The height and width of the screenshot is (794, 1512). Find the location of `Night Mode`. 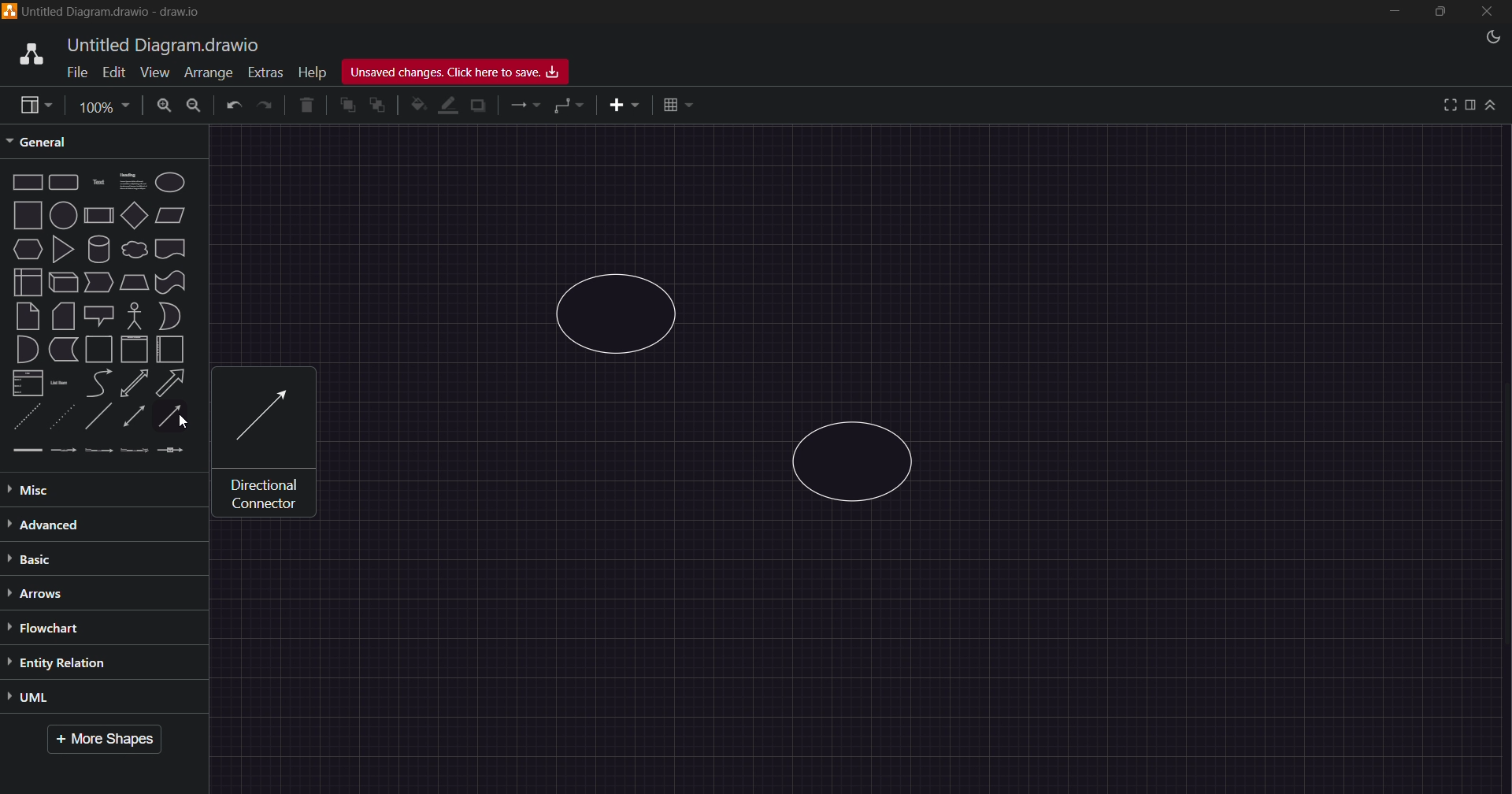

Night Mode is located at coordinates (1484, 37).